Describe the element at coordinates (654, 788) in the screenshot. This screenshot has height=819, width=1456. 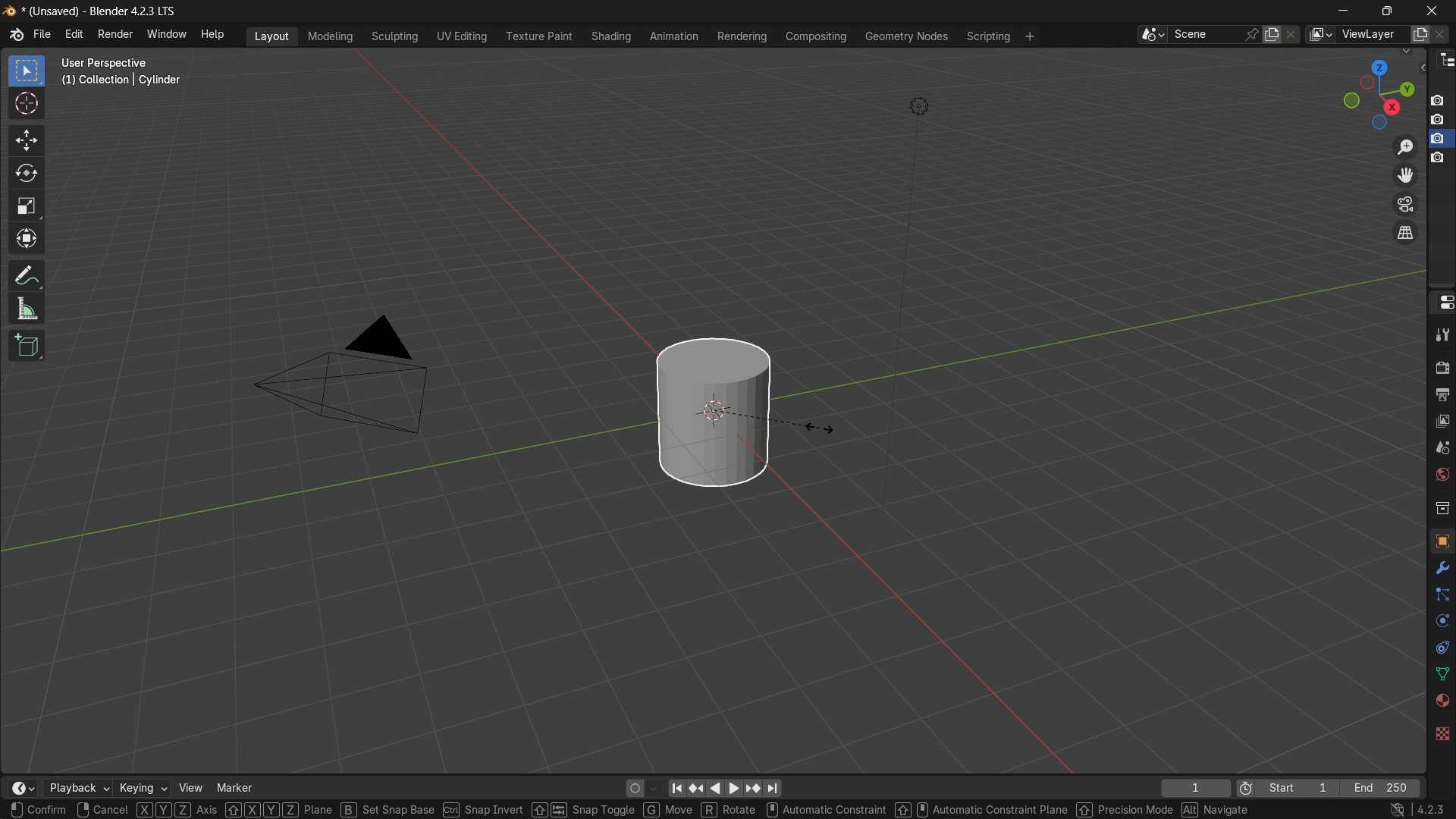
I see `auto keyframing` at that location.